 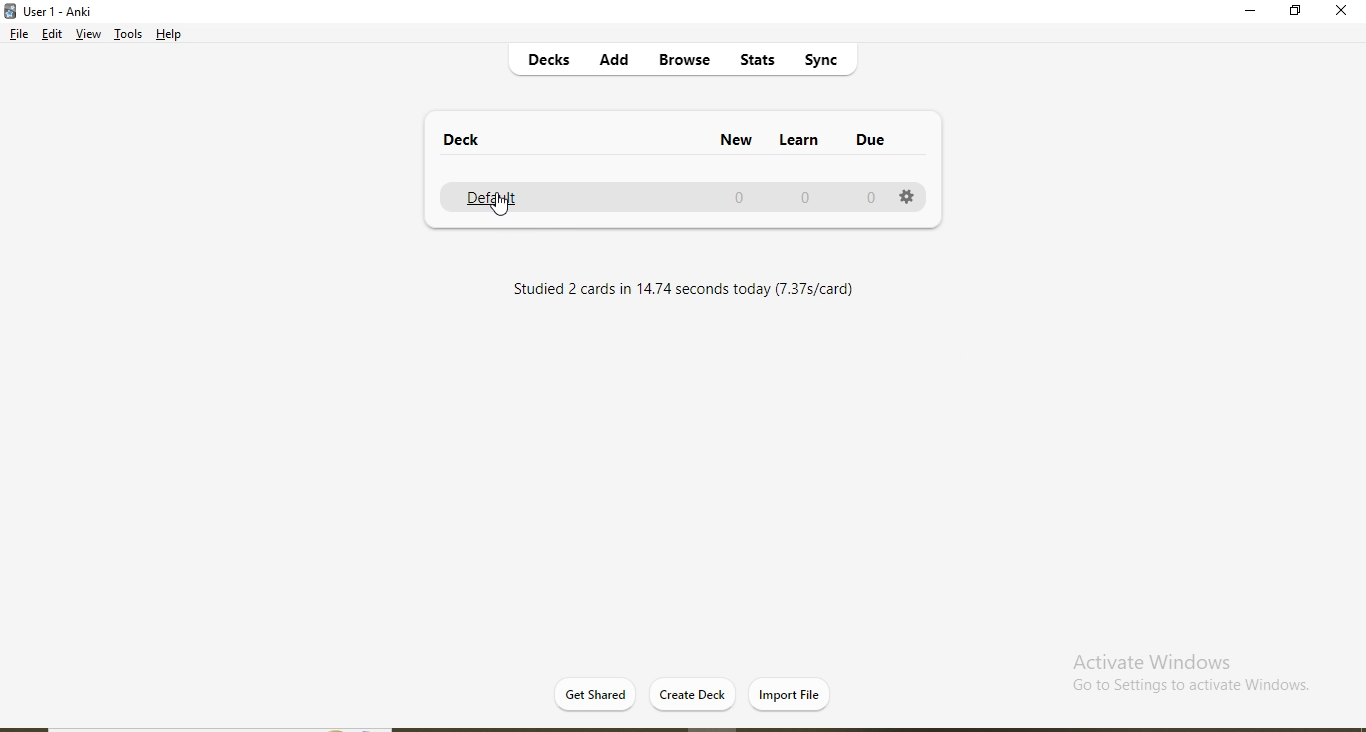 I want to click on decks, so click(x=552, y=63).